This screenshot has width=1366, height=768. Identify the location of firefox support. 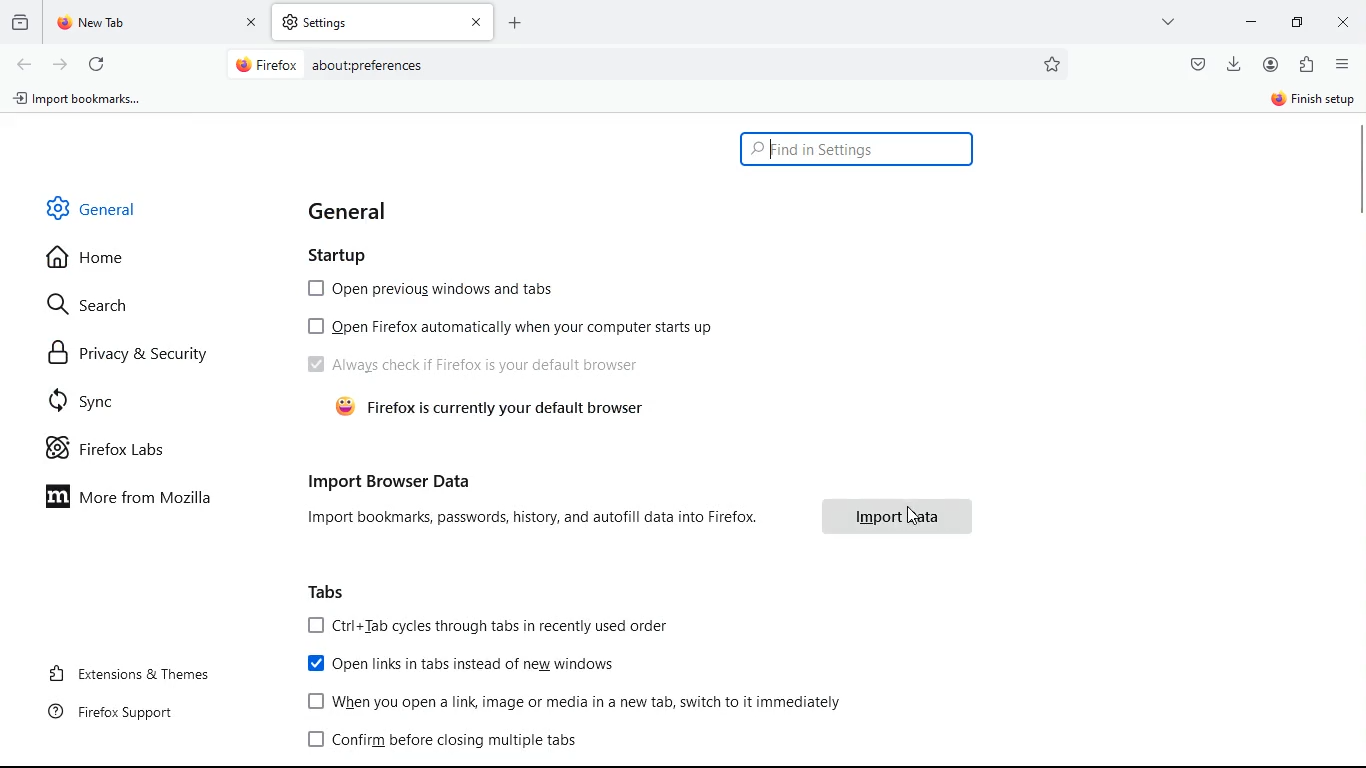
(122, 711).